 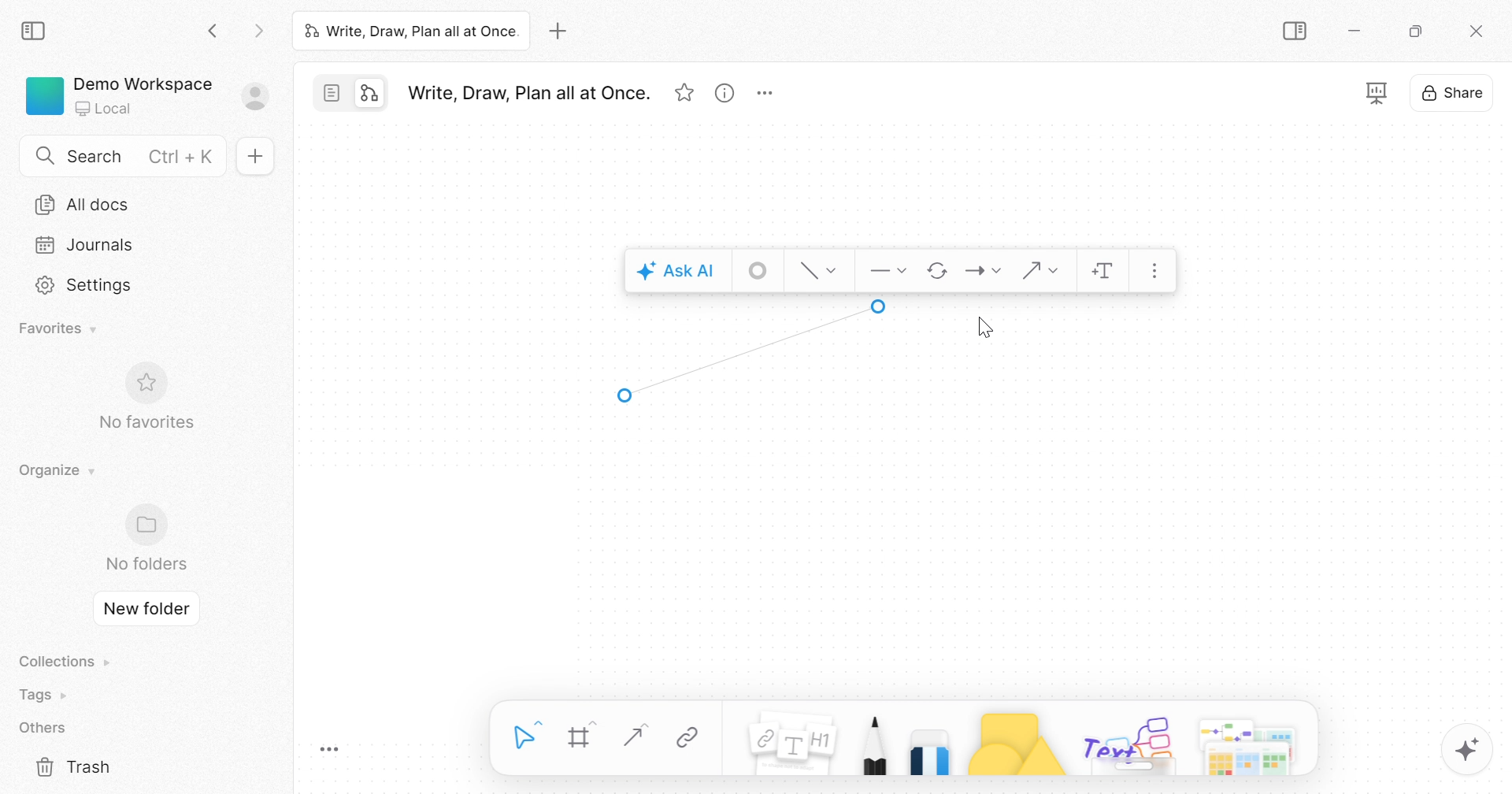 What do you see at coordinates (1415, 33) in the screenshot?
I see `Restore down` at bounding box center [1415, 33].